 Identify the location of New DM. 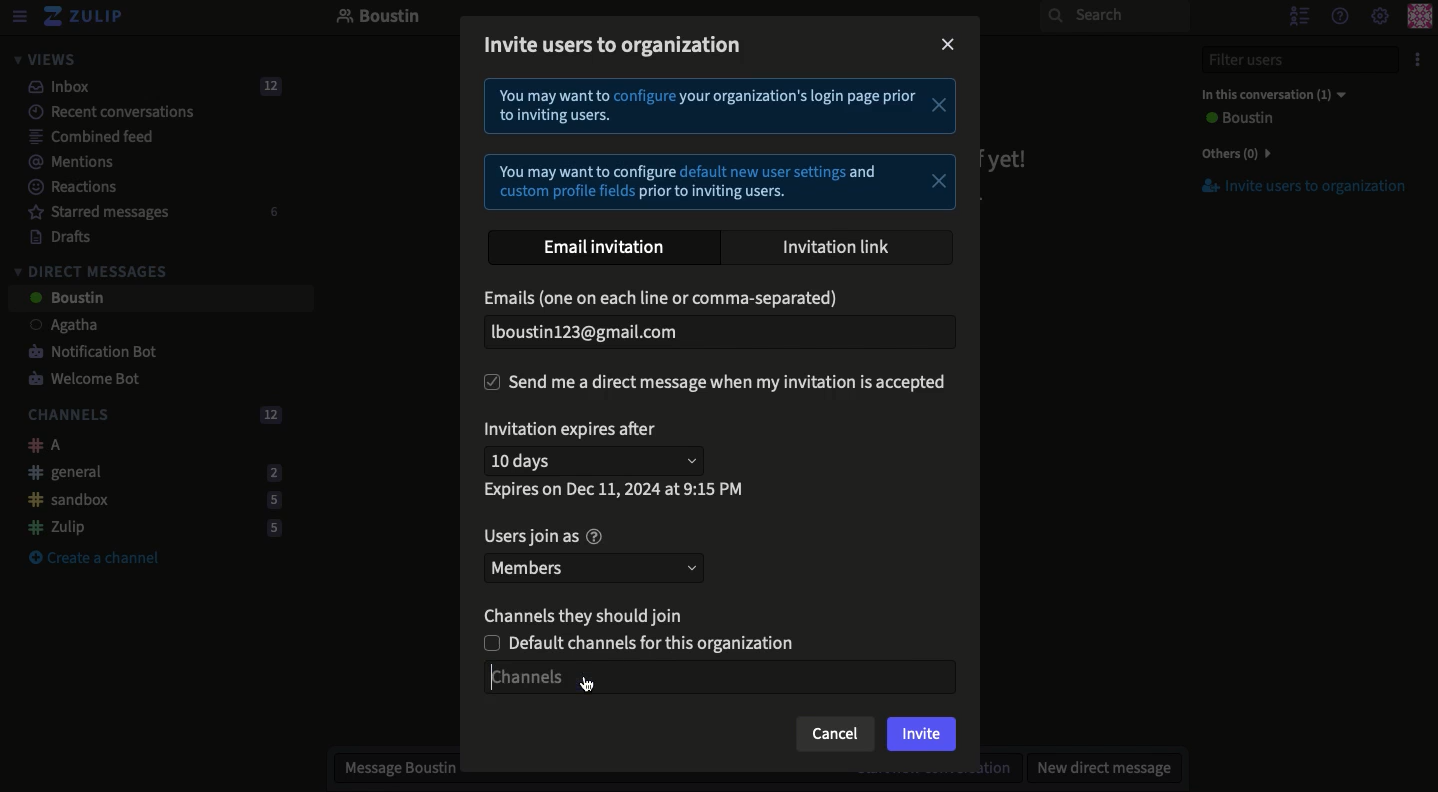
(1099, 767).